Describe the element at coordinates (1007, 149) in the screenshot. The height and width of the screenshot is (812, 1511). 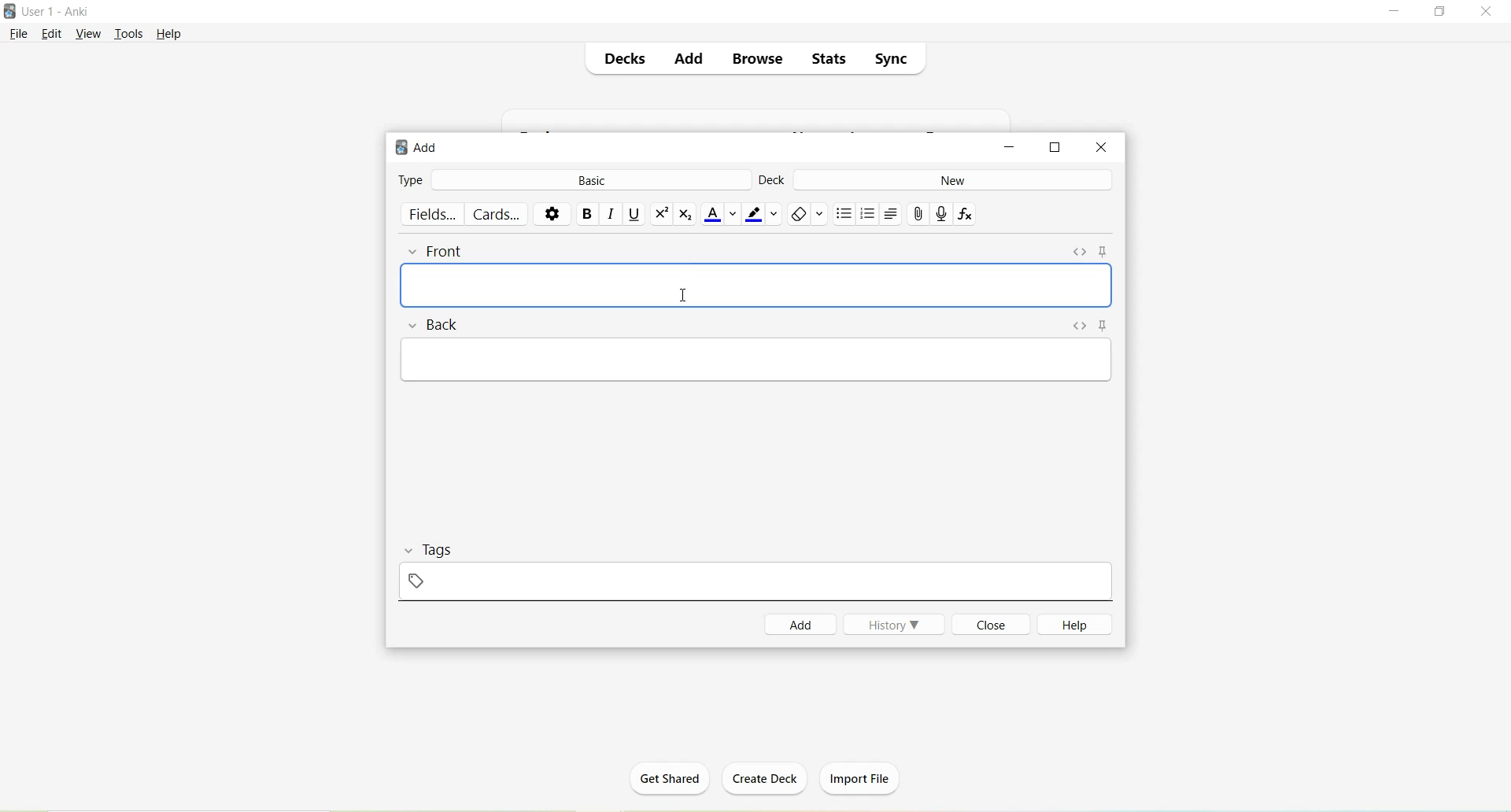
I see `Minimize` at that location.